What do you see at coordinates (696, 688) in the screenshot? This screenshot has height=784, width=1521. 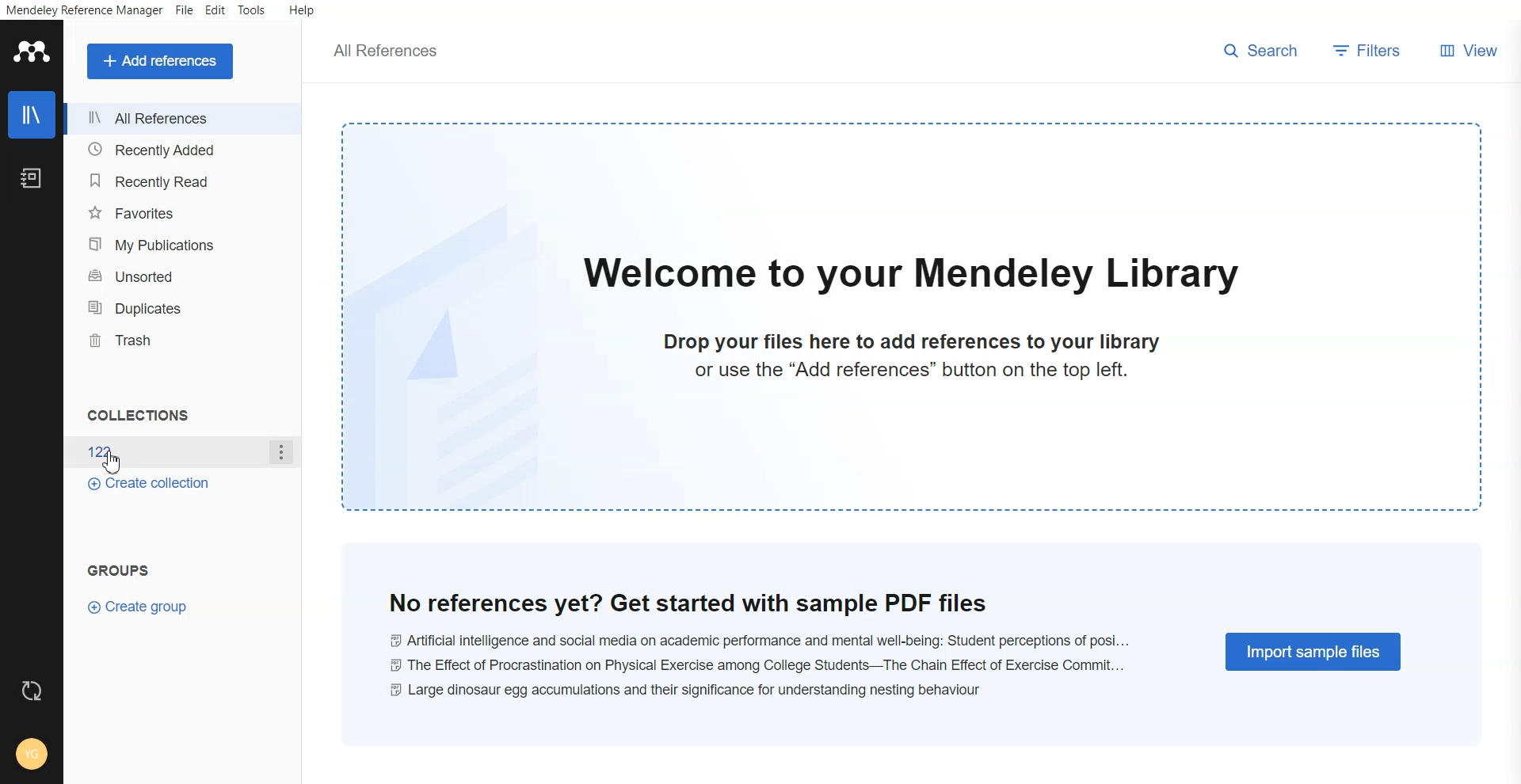 I see `large dinosaur egg accumulations and their significance for understanding nestling behaviour` at bounding box center [696, 688].